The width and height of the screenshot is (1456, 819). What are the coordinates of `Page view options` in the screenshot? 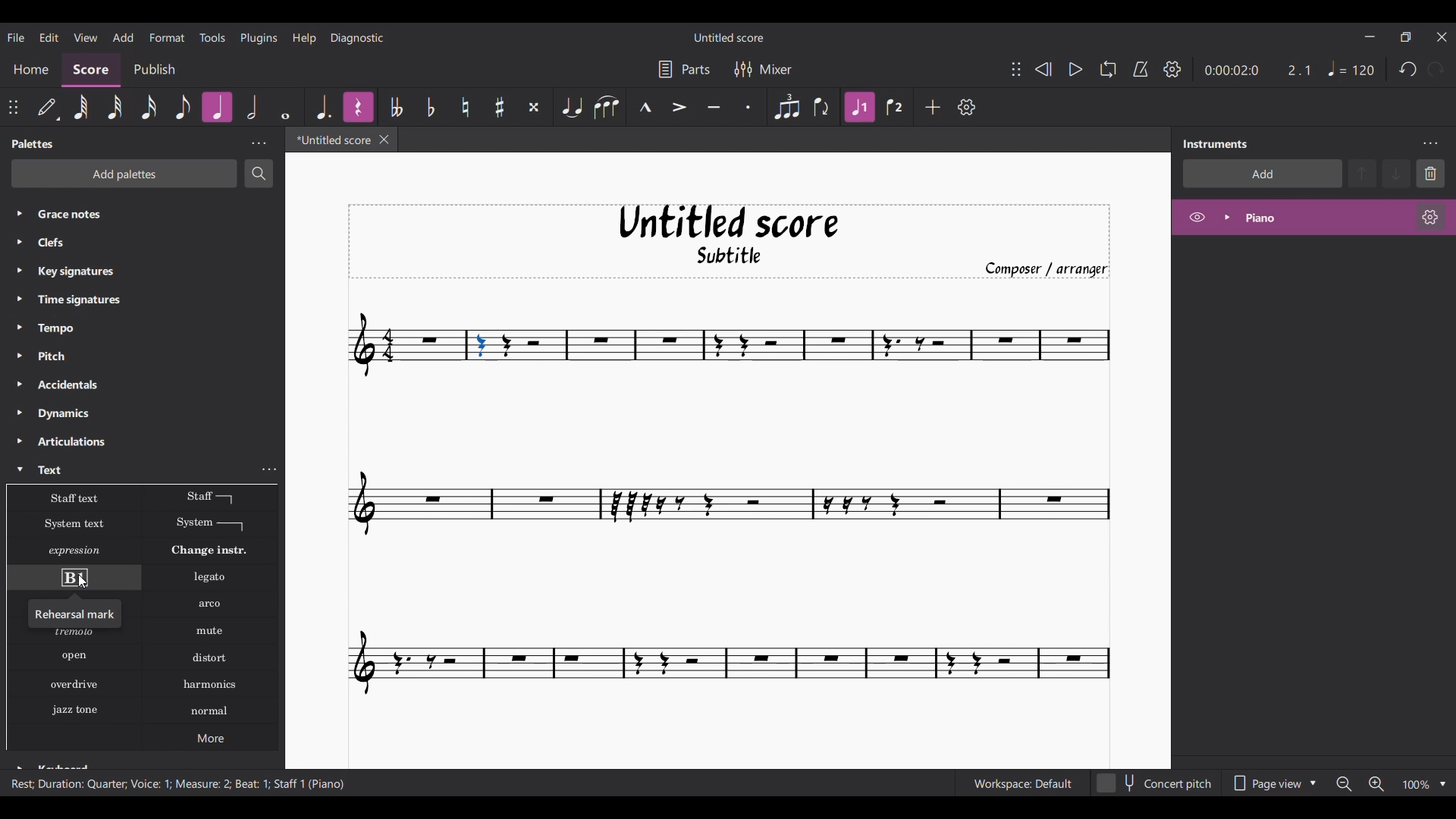 It's located at (1272, 783).